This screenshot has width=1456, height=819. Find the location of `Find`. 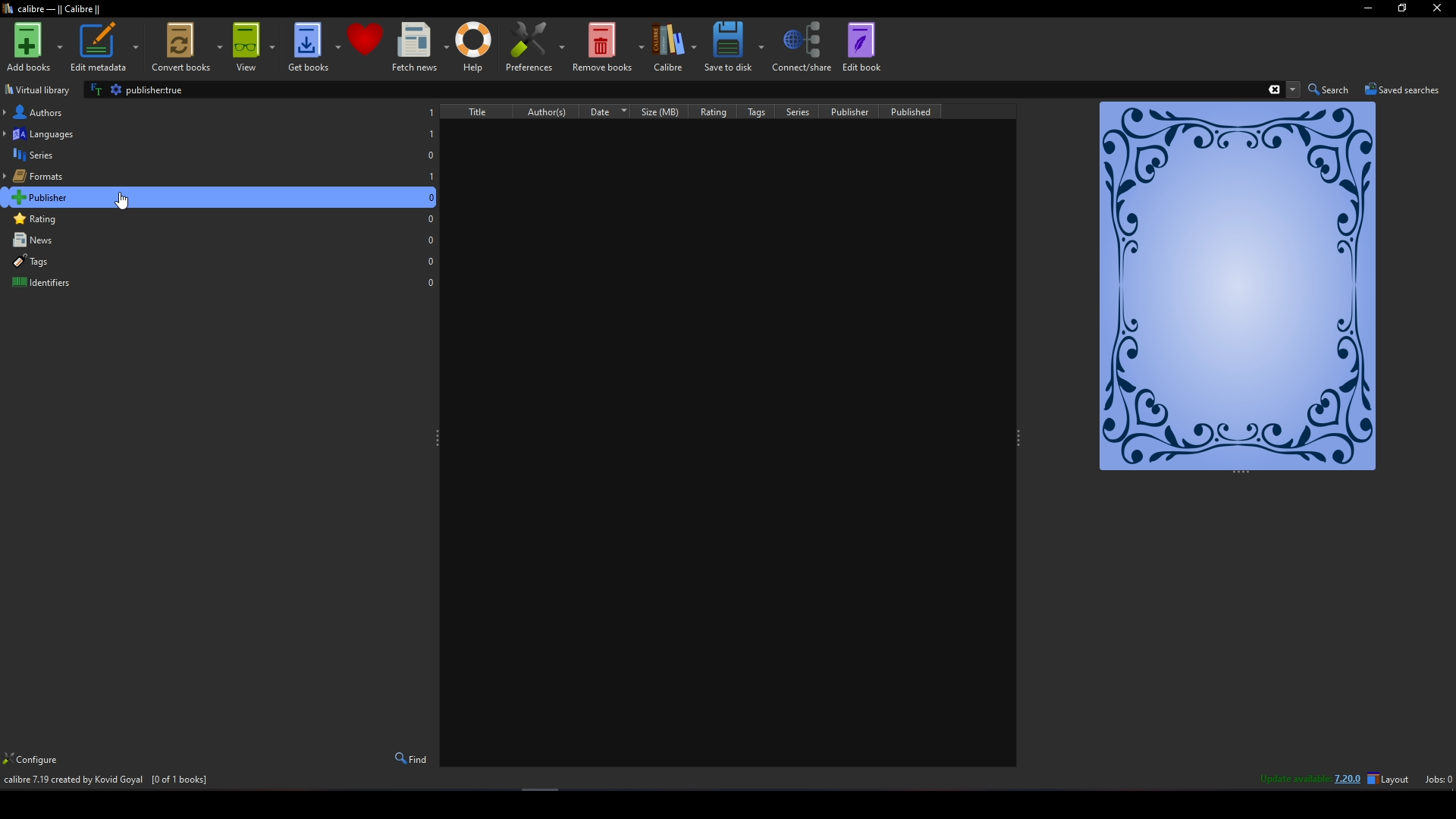

Find is located at coordinates (410, 758).